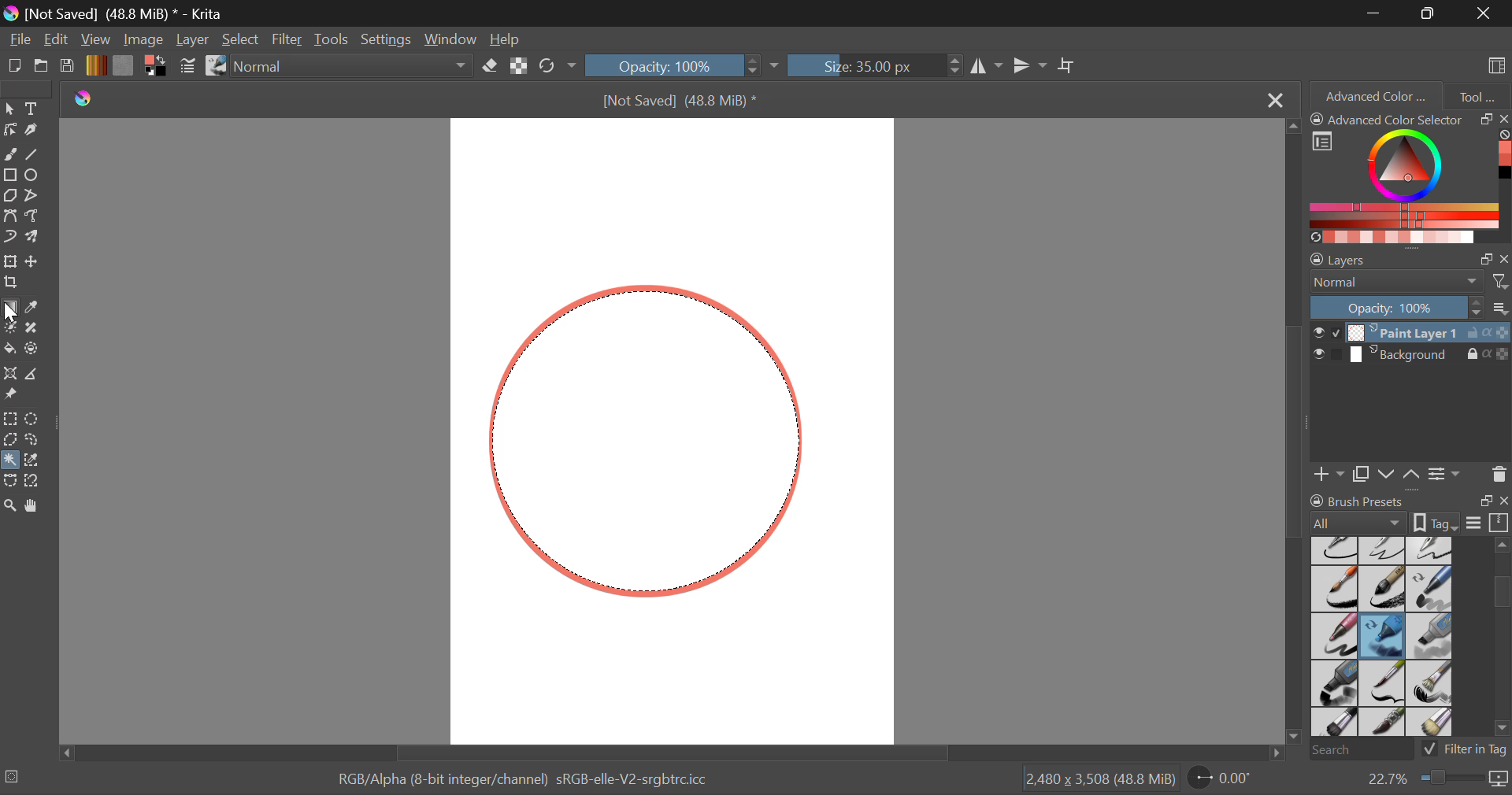 This screenshot has height=795, width=1512. I want to click on Image, so click(145, 39).